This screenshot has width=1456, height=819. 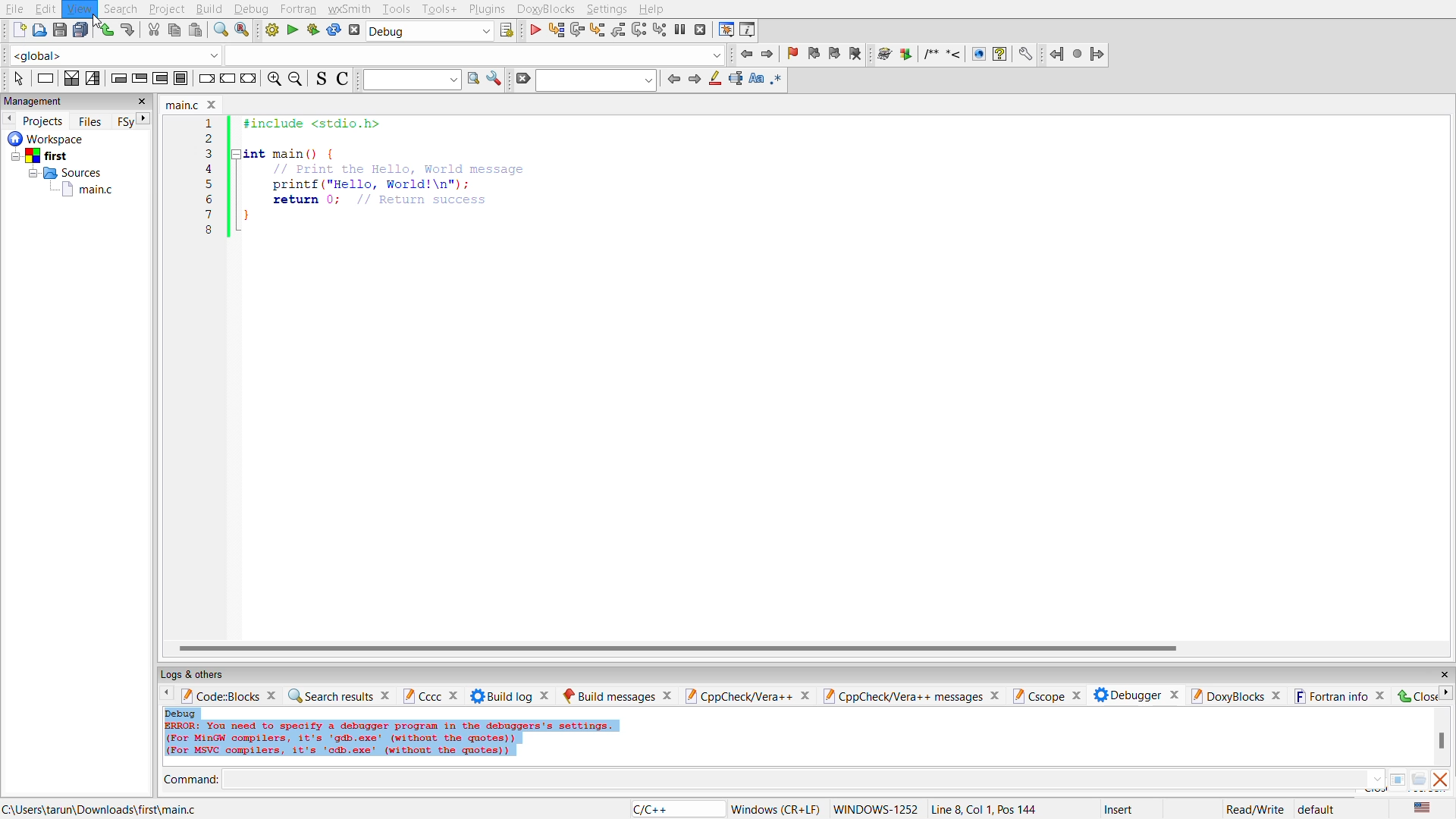 I want to click on metadata, so click(x=1041, y=808).